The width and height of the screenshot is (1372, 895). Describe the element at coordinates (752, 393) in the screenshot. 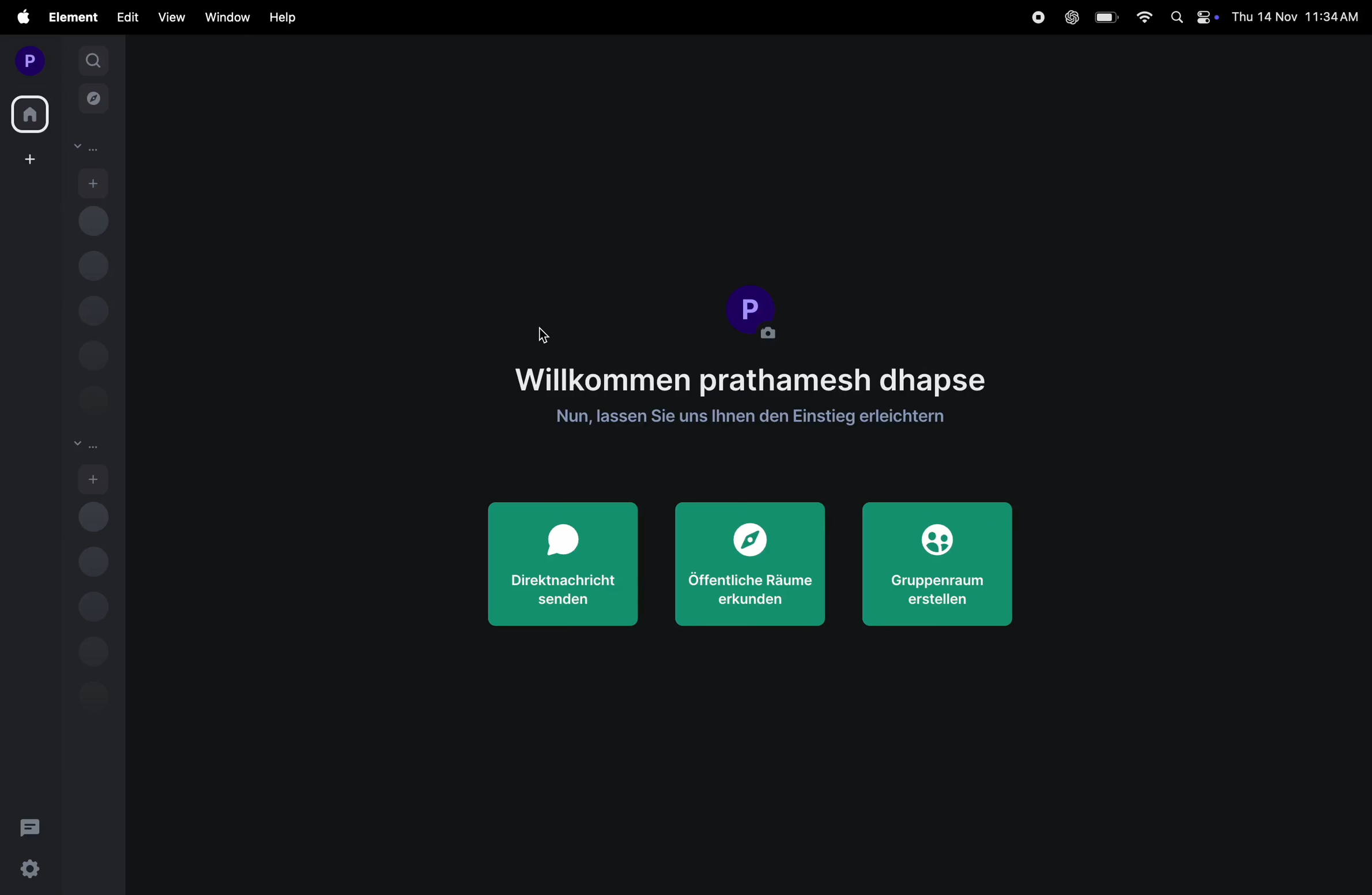

I see `Willkommen prathamesh dhapse
Nun, lassen Sie uns Ihnen den Einstieg erleichtern` at that location.